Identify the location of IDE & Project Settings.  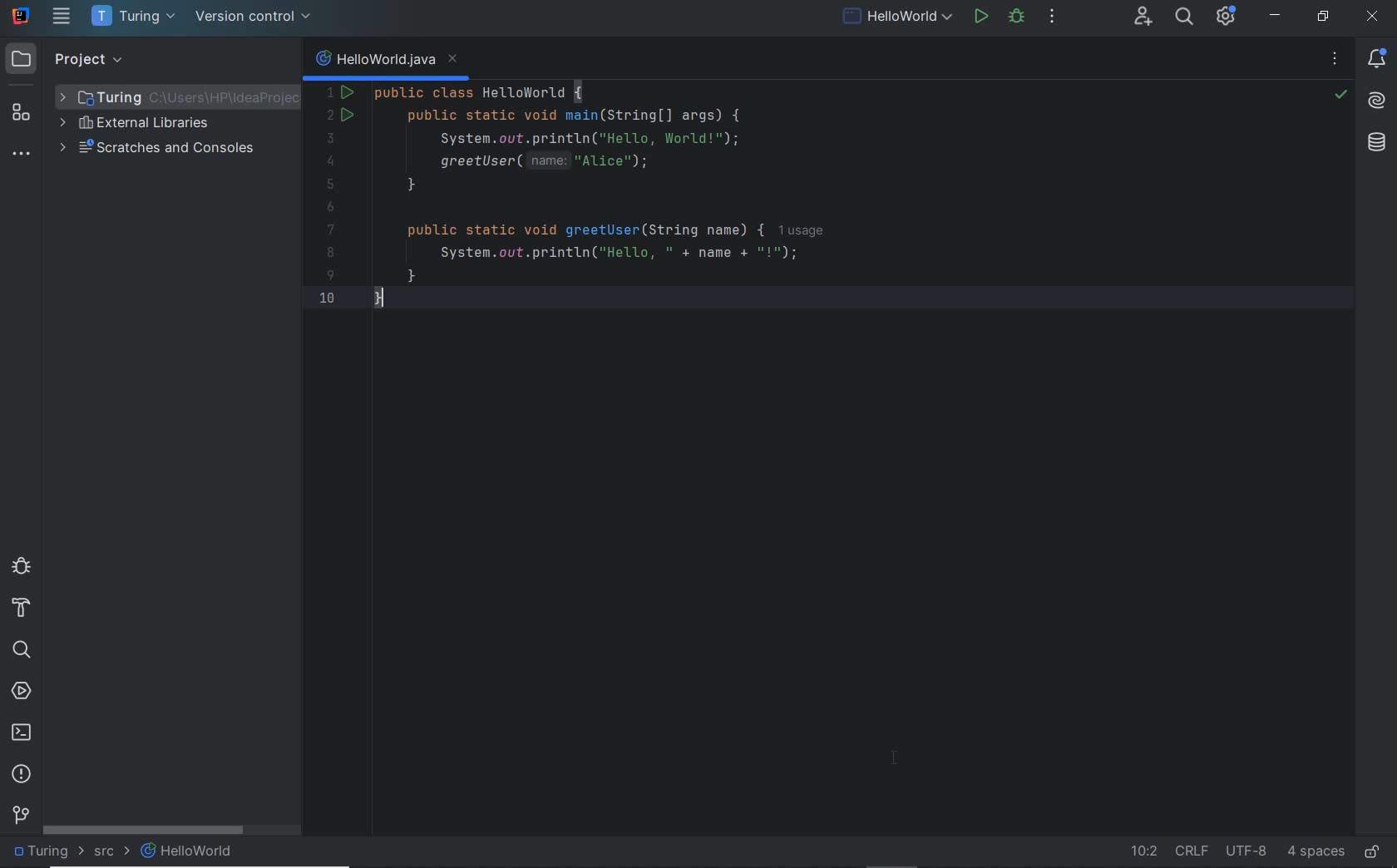
(1226, 16).